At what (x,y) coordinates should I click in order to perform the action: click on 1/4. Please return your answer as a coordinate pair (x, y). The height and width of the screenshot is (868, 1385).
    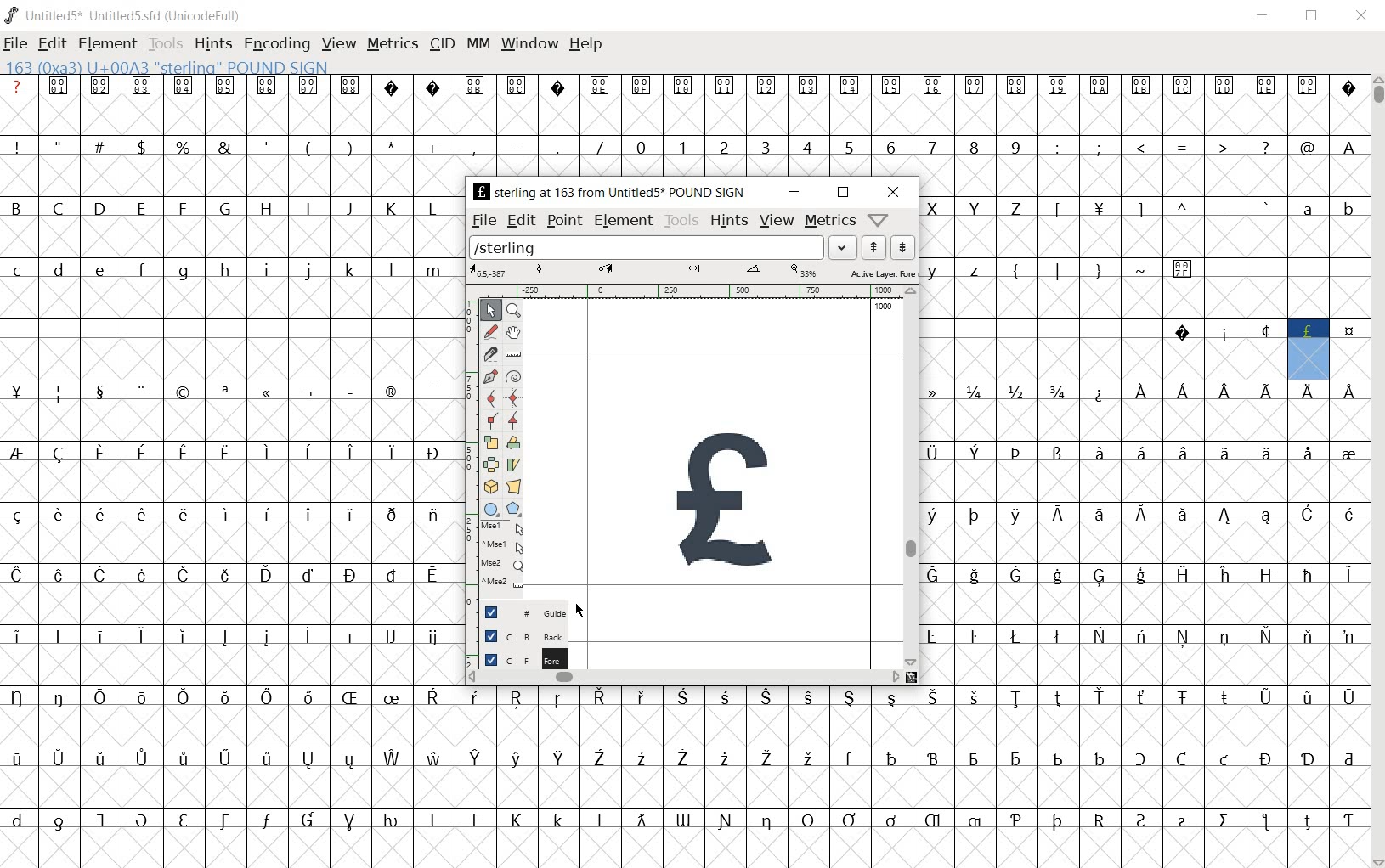
    Looking at the image, I should click on (974, 392).